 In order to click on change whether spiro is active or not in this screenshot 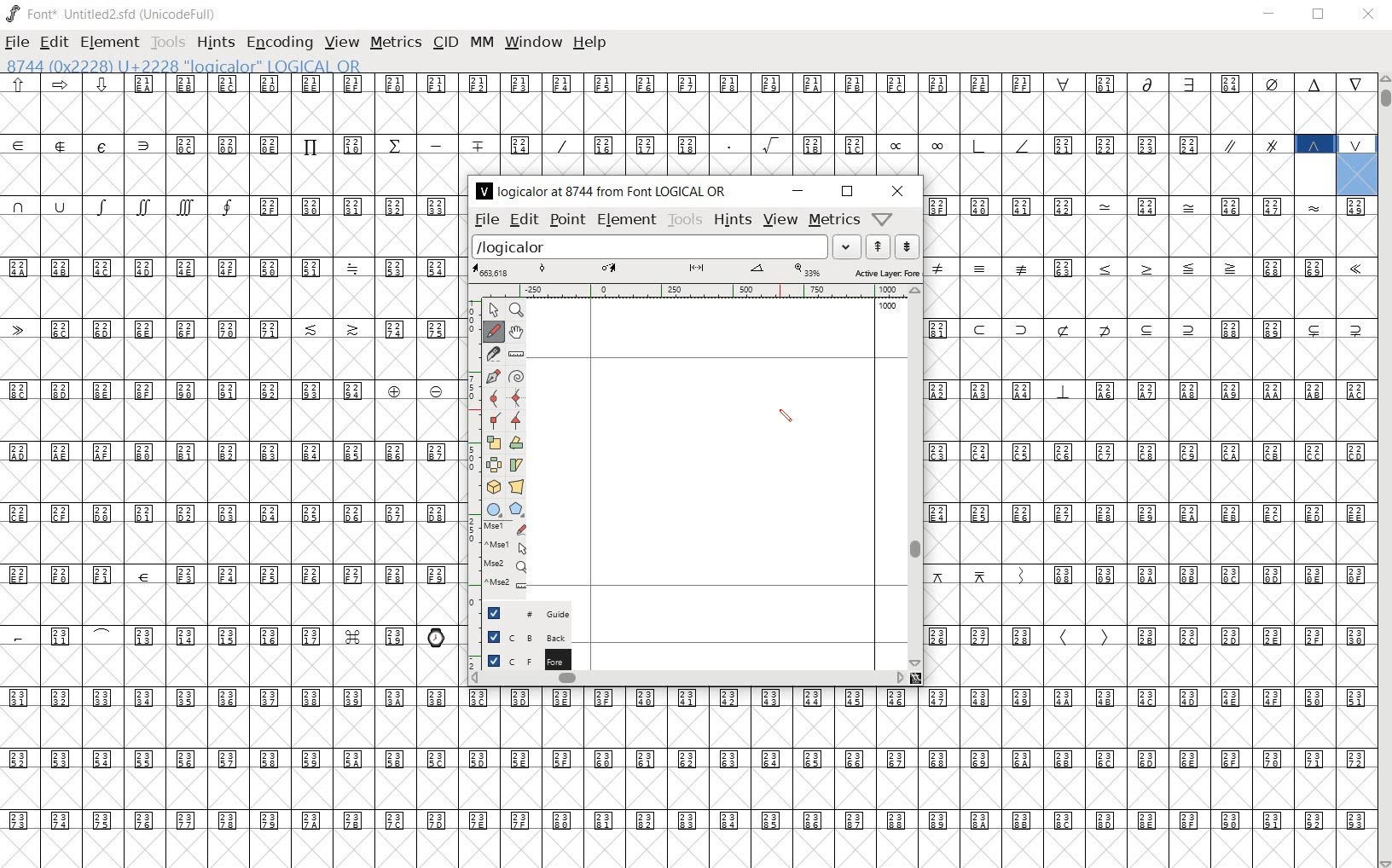, I will do `click(513, 376)`.